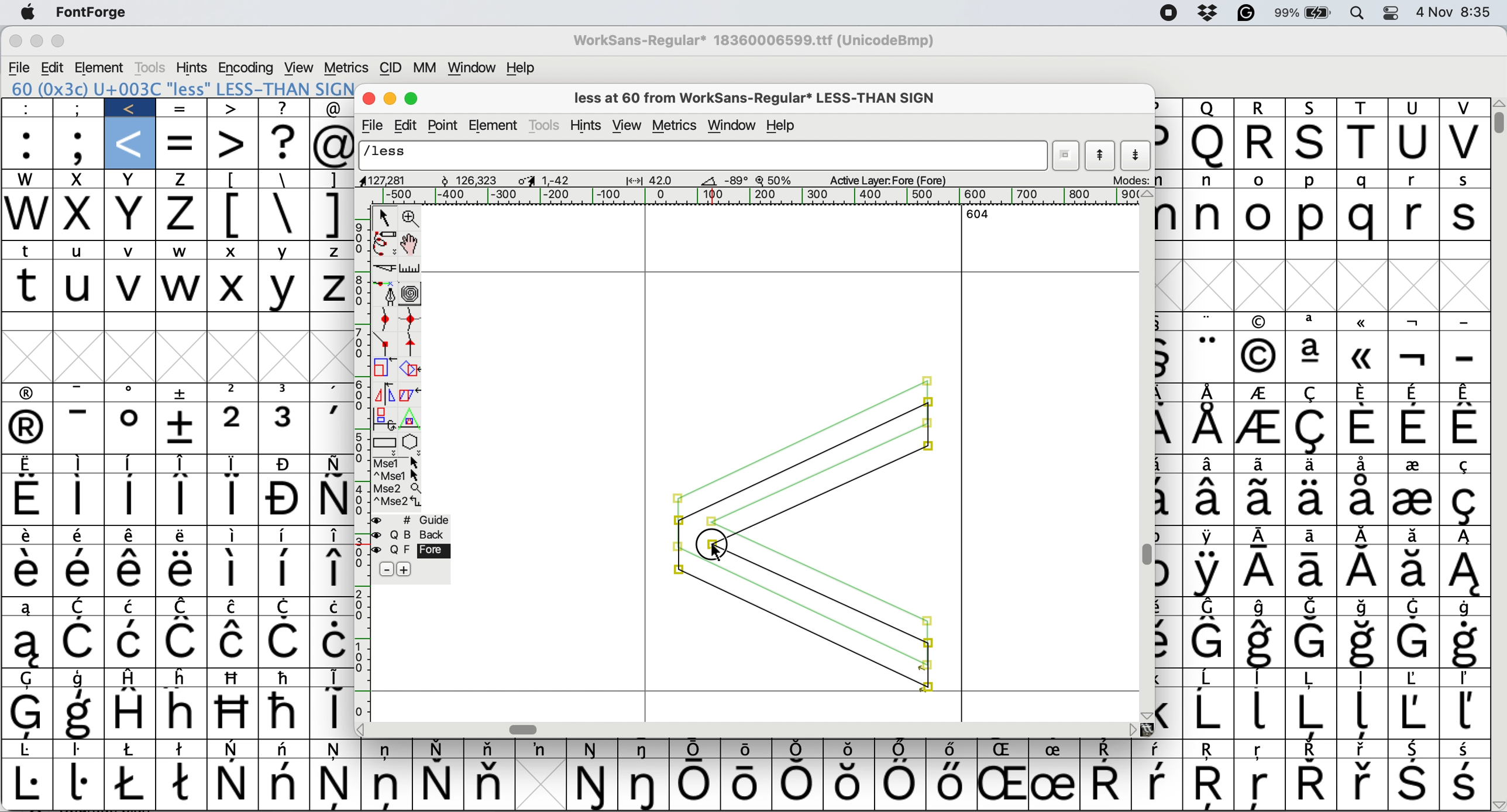  I want to click on maximise, so click(65, 43).